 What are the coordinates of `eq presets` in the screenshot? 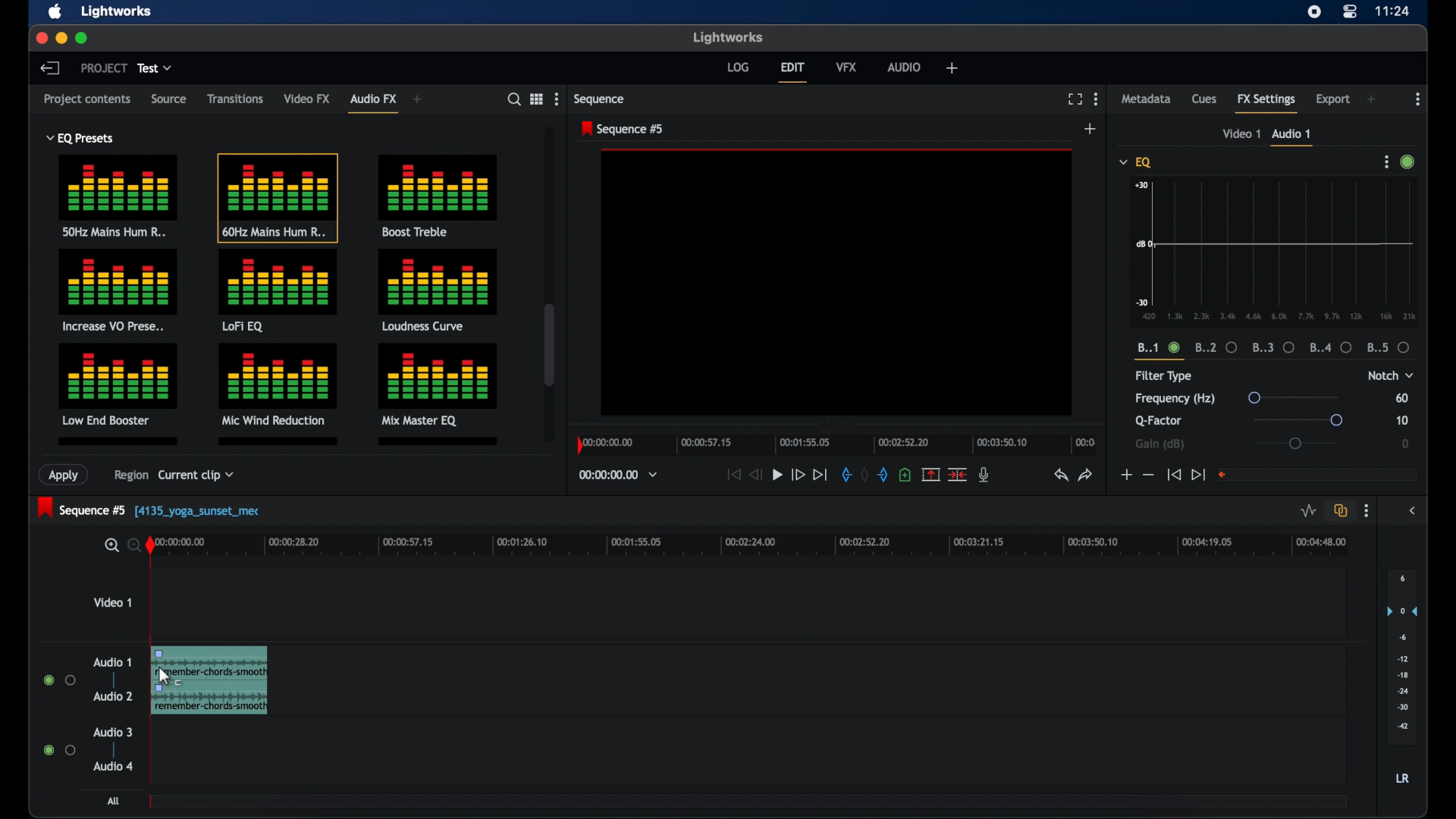 It's located at (81, 138).